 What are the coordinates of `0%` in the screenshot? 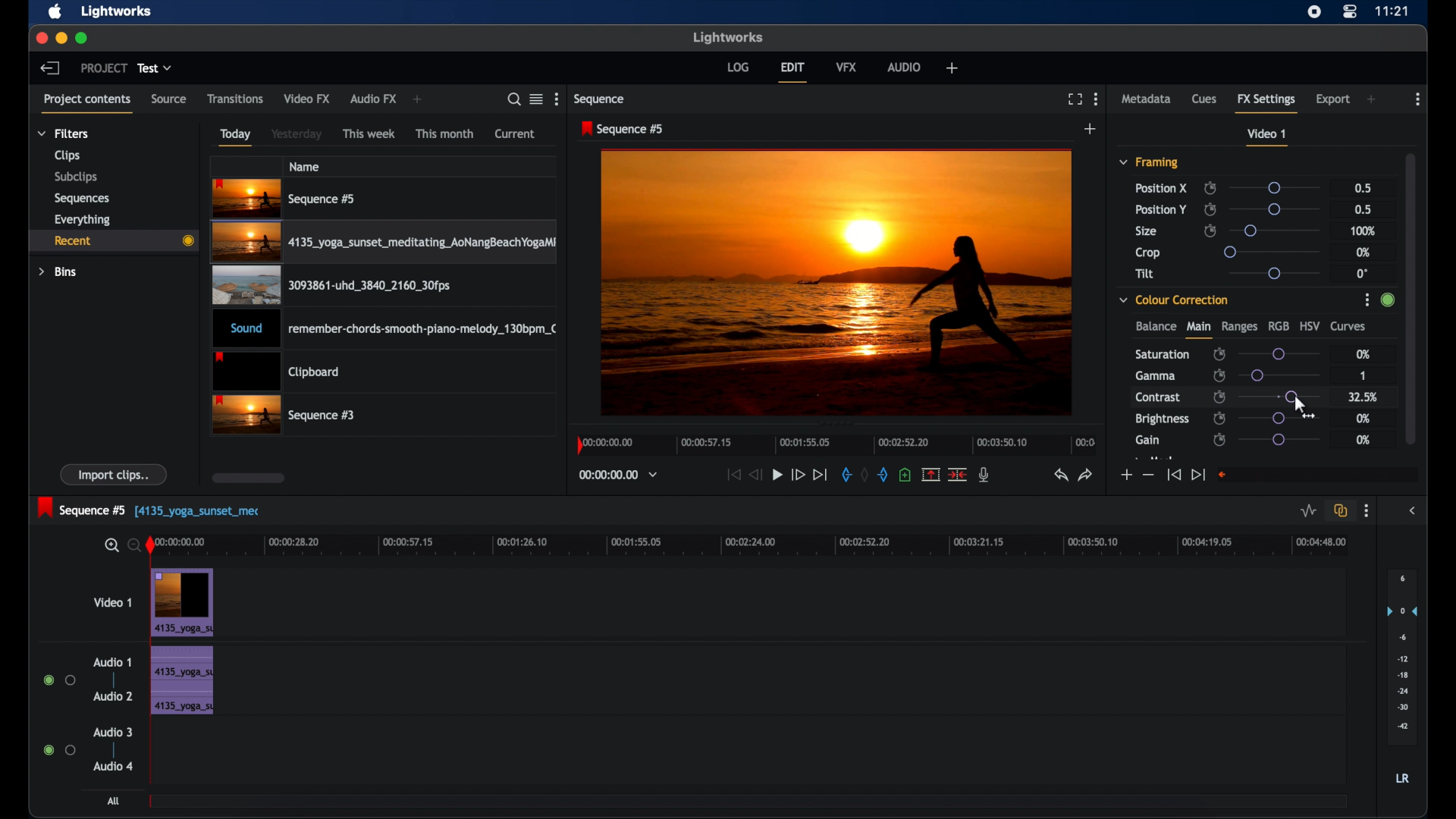 It's located at (1361, 252).